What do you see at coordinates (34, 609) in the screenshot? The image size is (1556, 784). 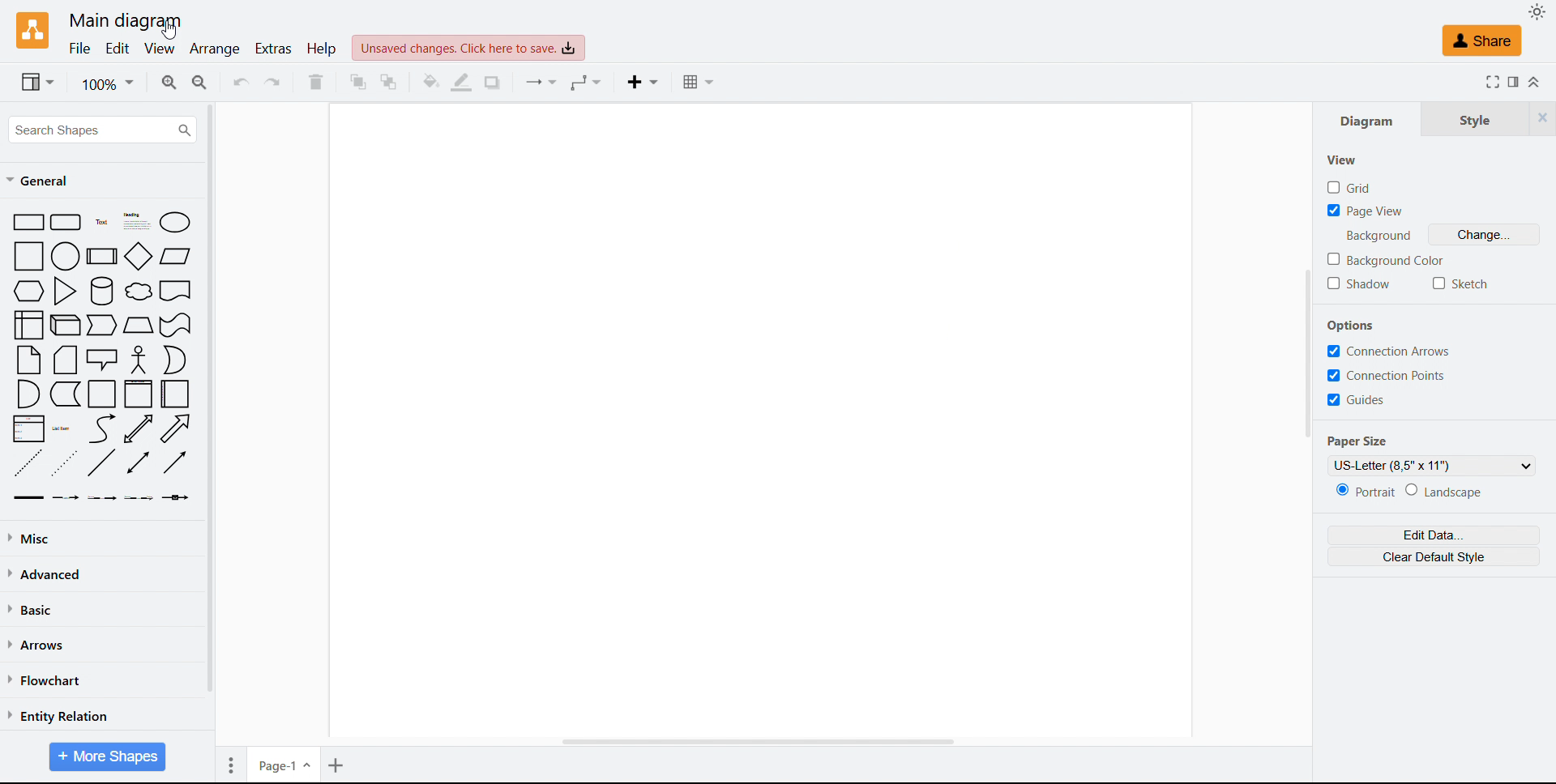 I see `Basic ` at bounding box center [34, 609].